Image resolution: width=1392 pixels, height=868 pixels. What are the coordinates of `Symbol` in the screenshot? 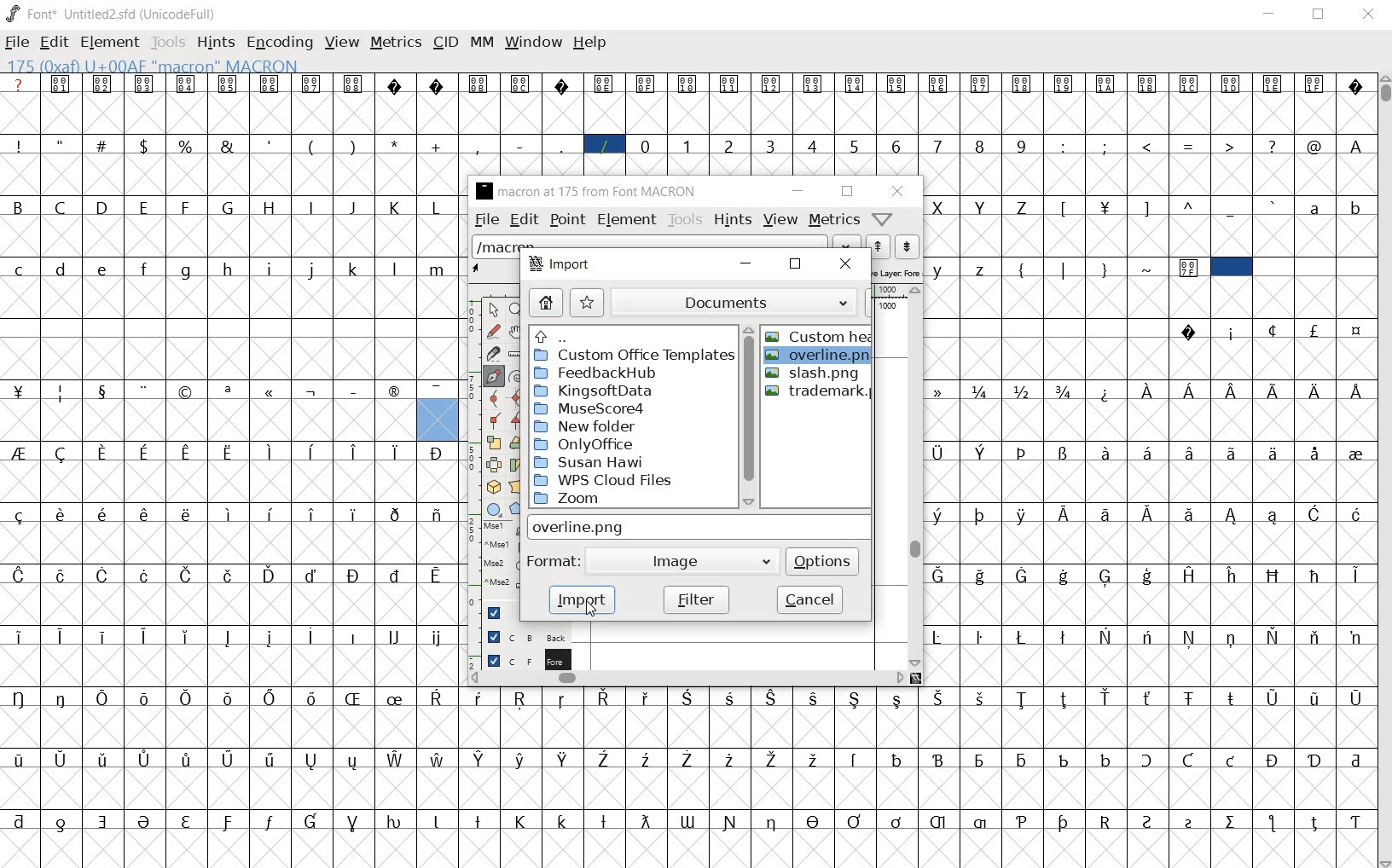 It's located at (1187, 574).